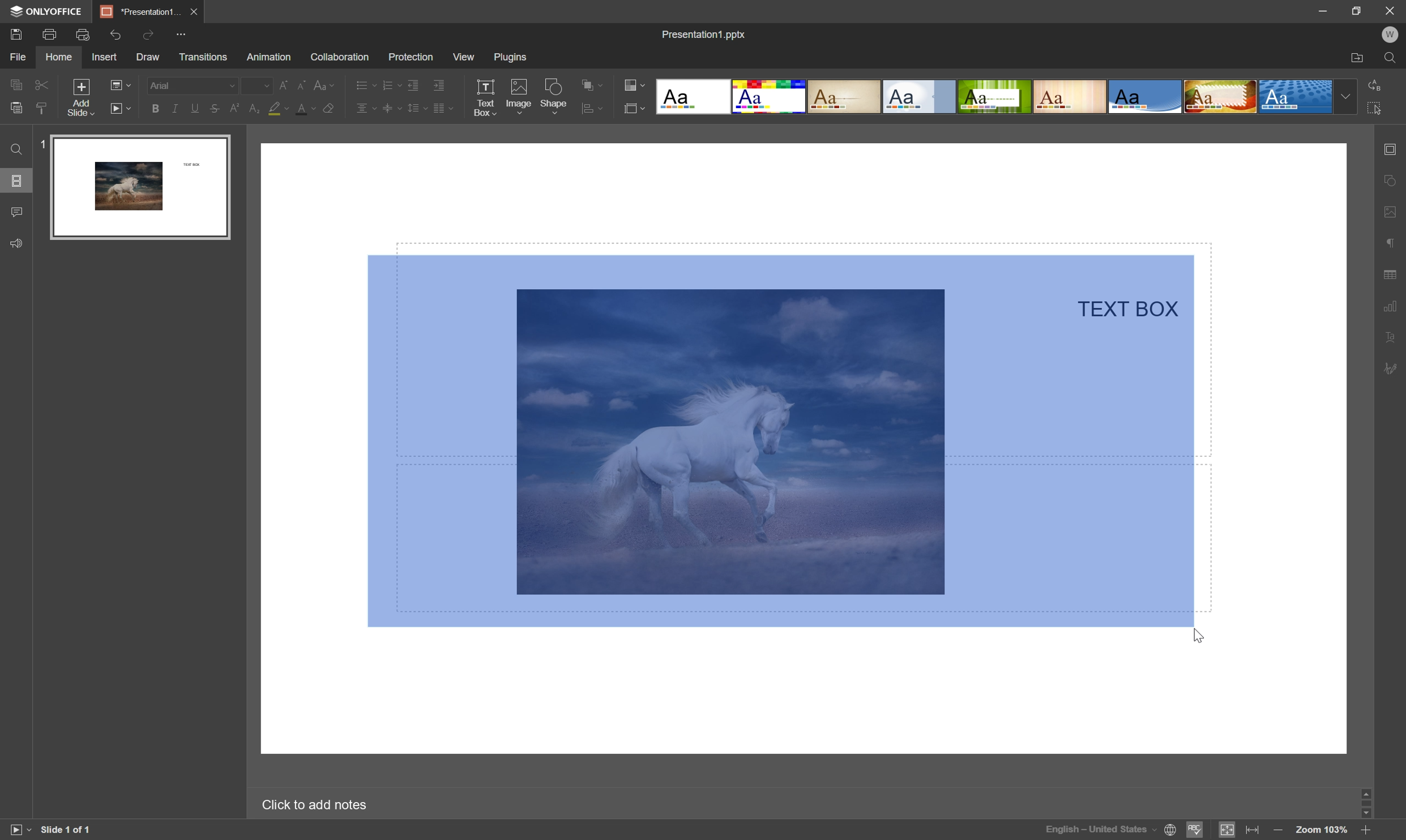  Describe the element at coordinates (845, 98) in the screenshot. I see `Classic` at that location.